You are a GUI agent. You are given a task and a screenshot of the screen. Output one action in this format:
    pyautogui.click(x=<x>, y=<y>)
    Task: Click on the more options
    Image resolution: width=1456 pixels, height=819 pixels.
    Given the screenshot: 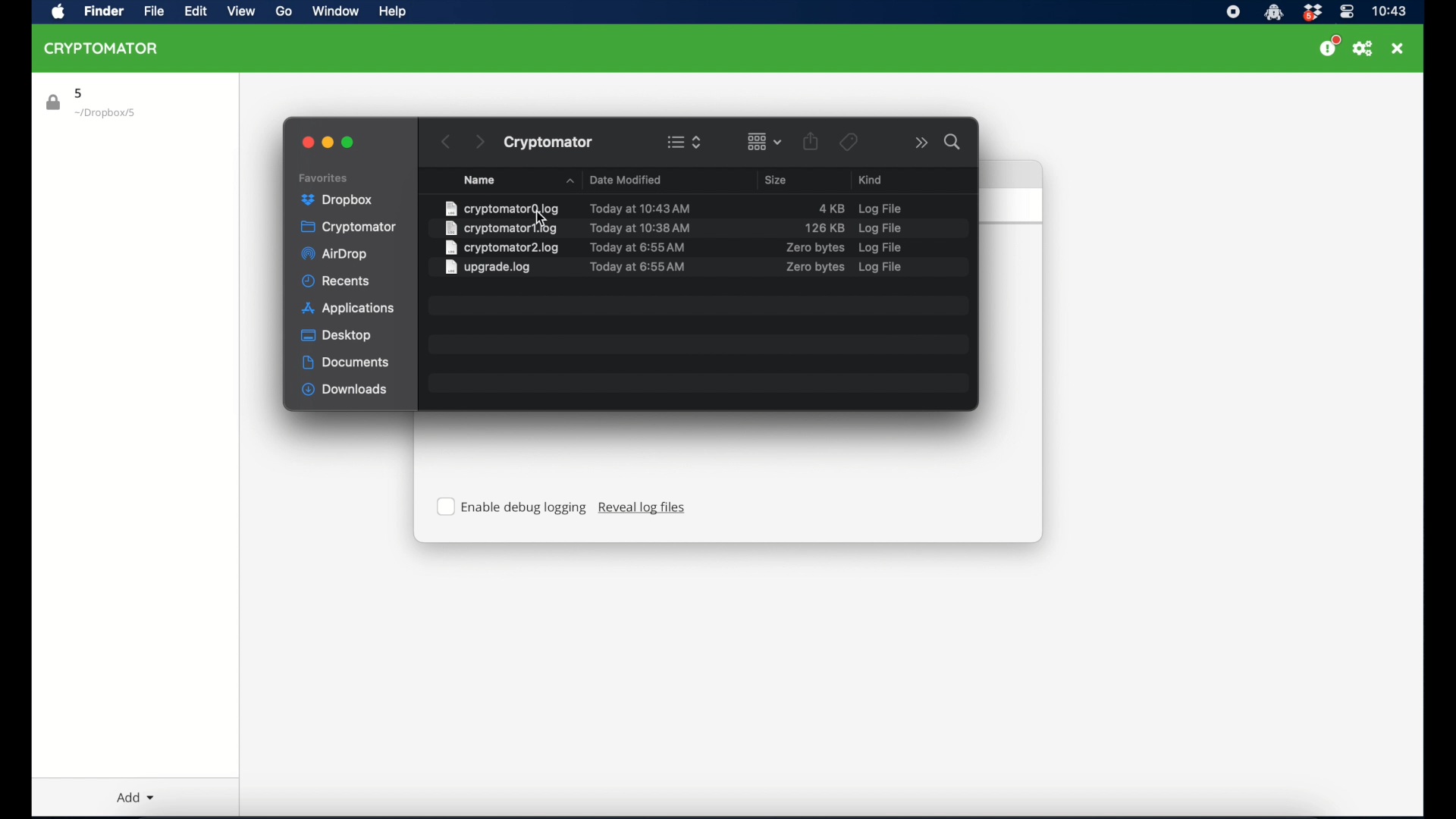 What is the action you would take?
    pyautogui.click(x=921, y=143)
    